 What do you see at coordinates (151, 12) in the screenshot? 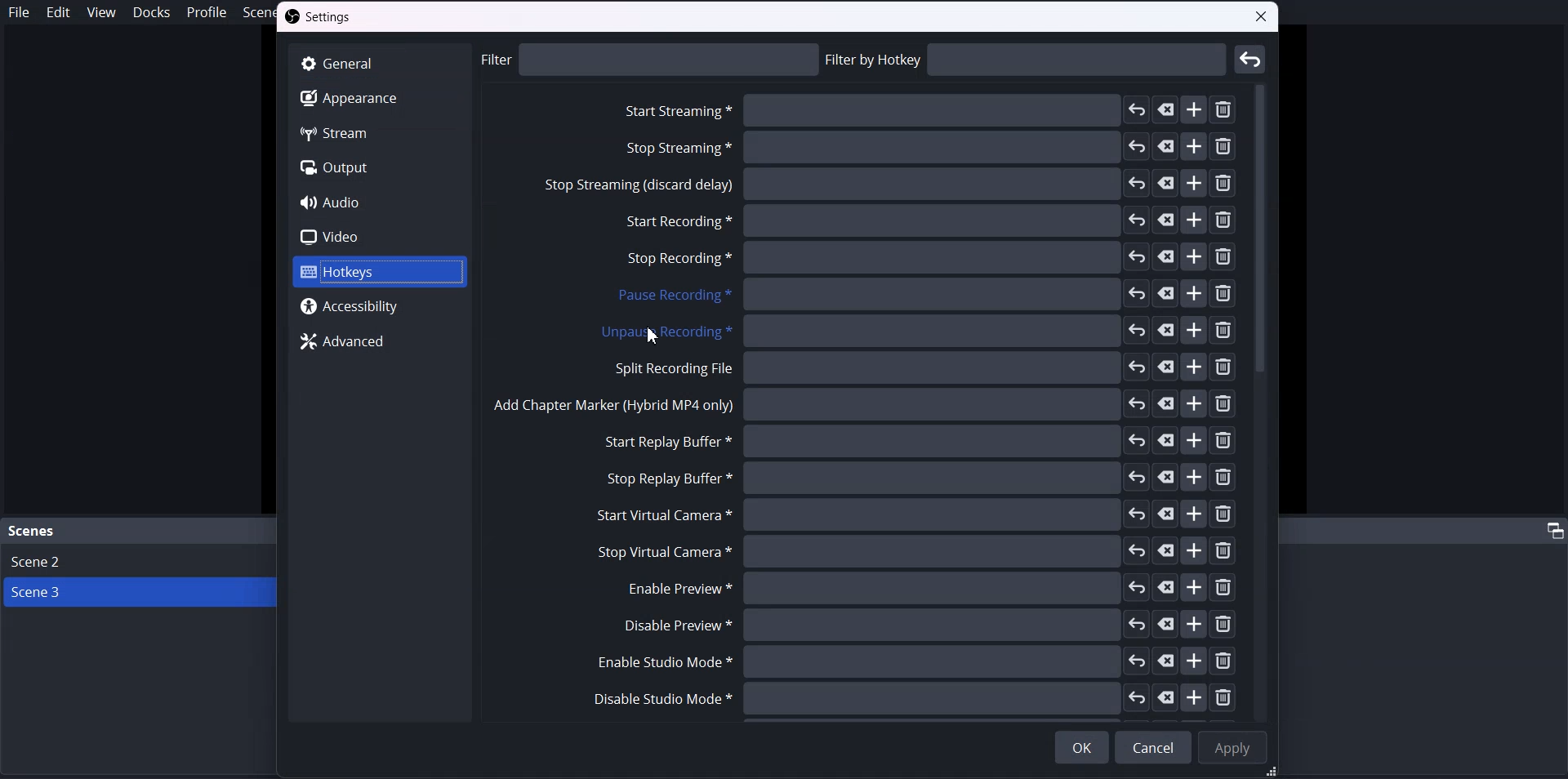
I see `Docks` at bounding box center [151, 12].